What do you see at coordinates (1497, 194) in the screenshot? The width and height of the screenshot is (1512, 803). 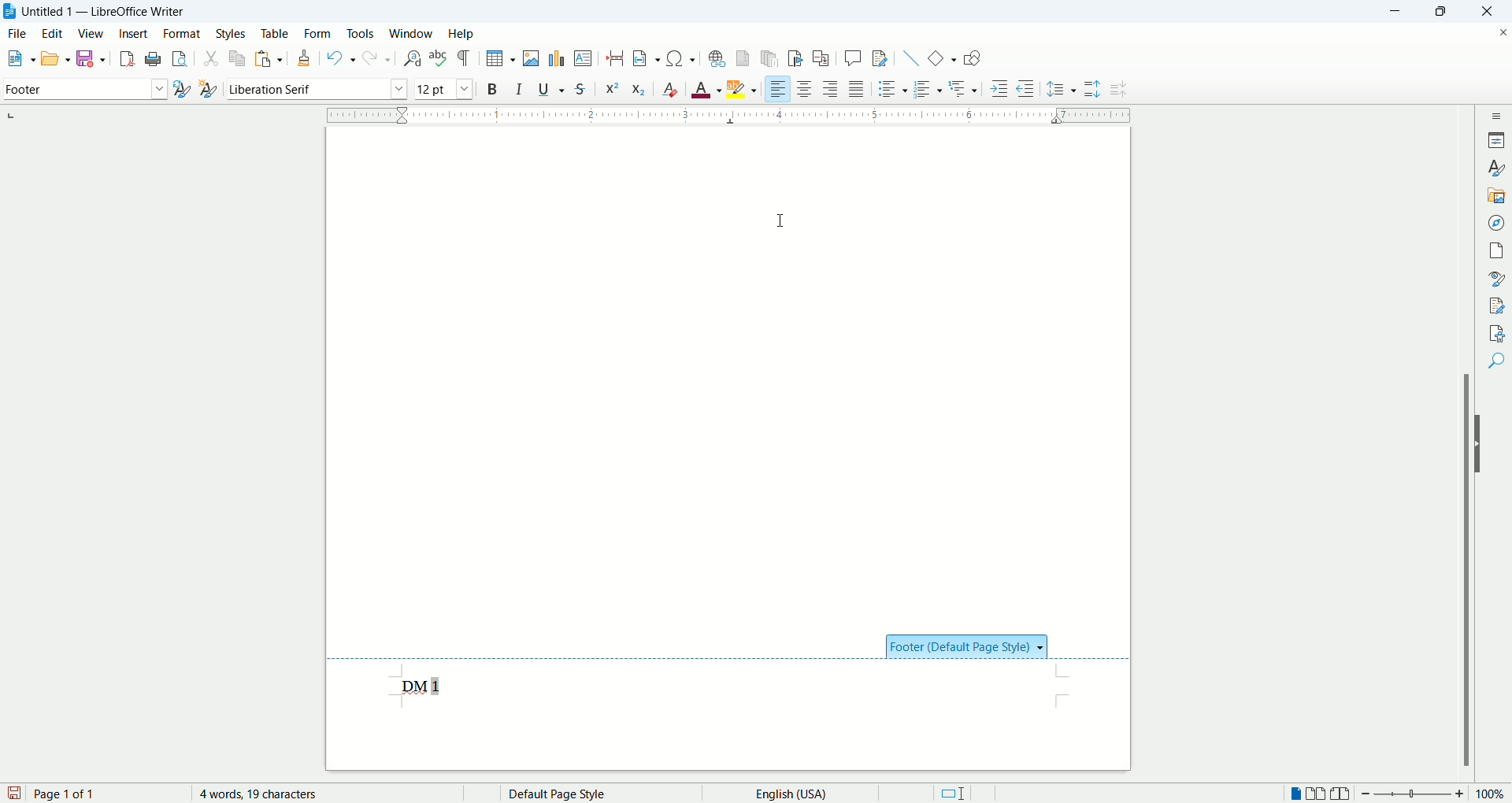 I see `gallery` at bounding box center [1497, 194].